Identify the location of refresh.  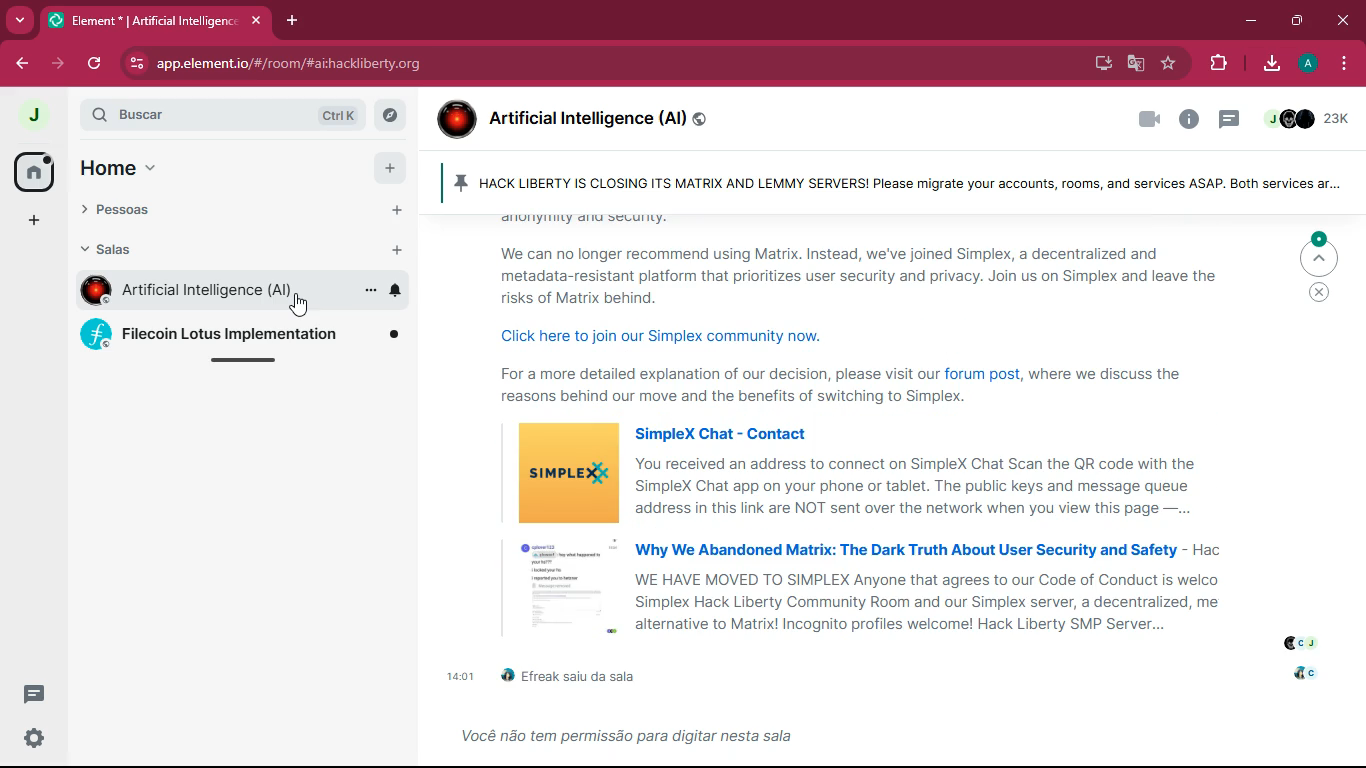
(97, 64).